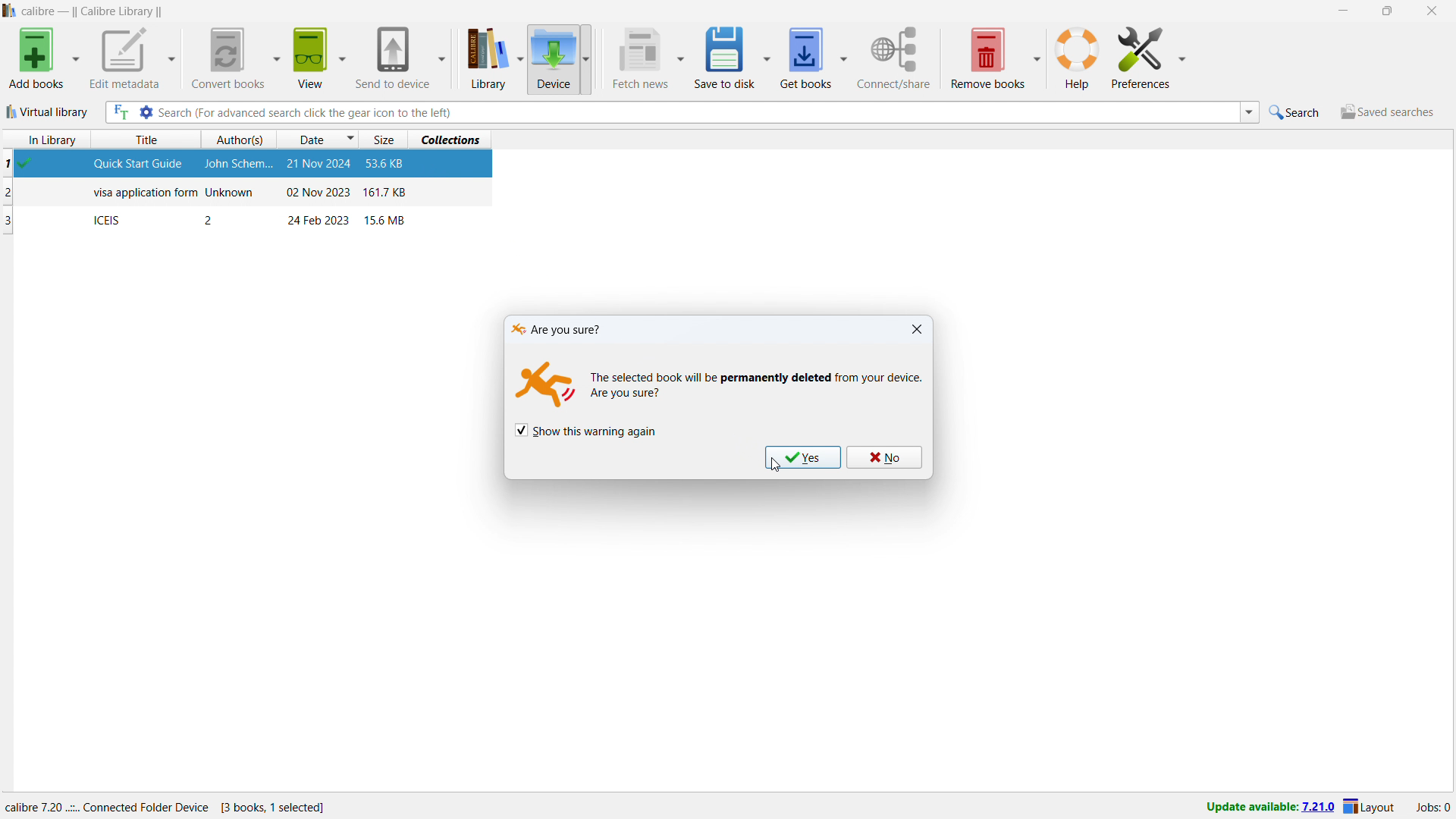 The image size is (1456, 819). What do you see at coordinates (845, 55) in the screenshot?
I see `get books options` at bounding box center [845, 55].